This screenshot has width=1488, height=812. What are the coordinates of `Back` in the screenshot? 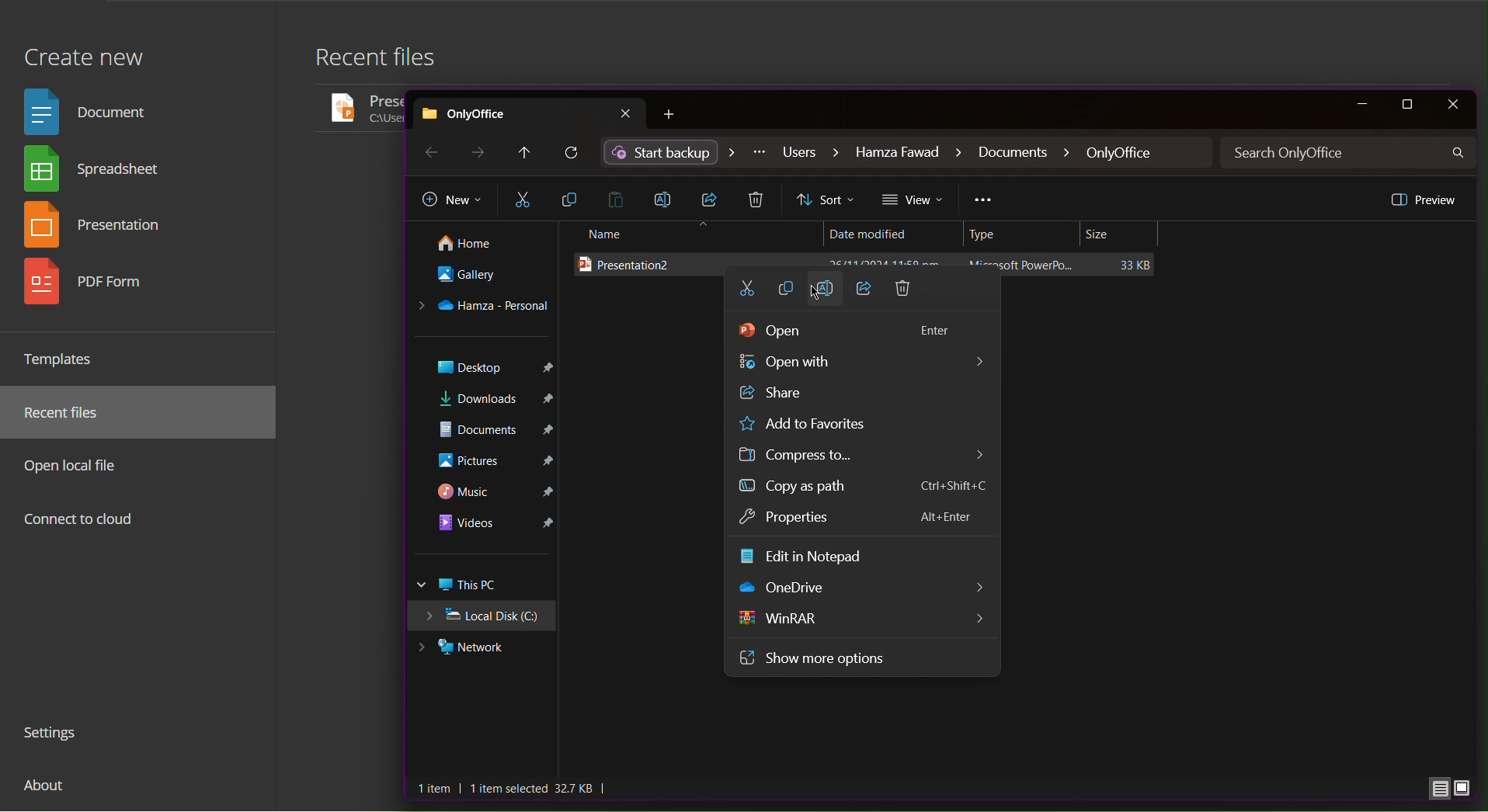 It's located at (429, 151).